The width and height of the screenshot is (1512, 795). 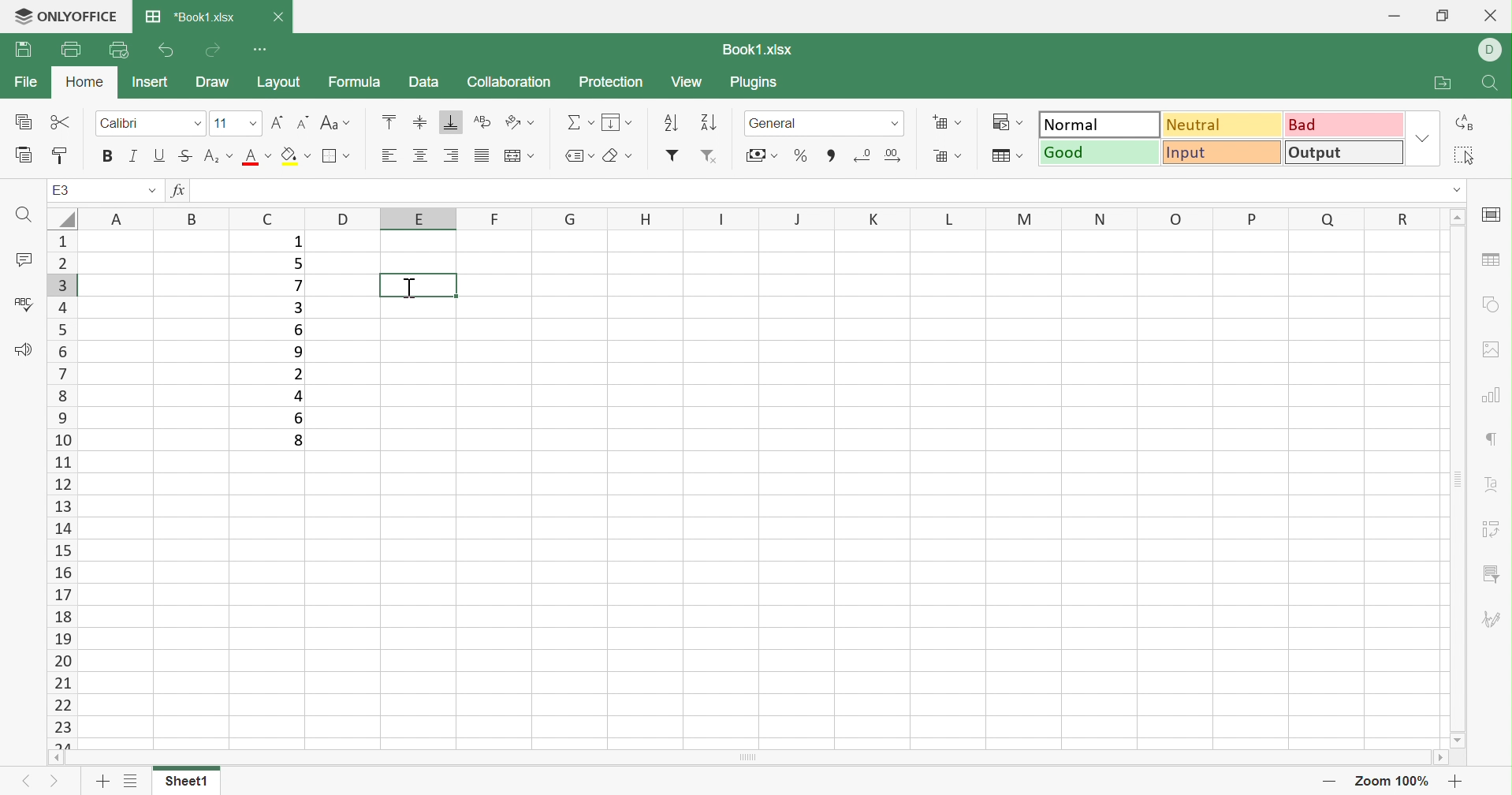 What do you see at coordinates (1100, 124) in the screenshot?
I see `Normal` at bounding box center [1100, 124].